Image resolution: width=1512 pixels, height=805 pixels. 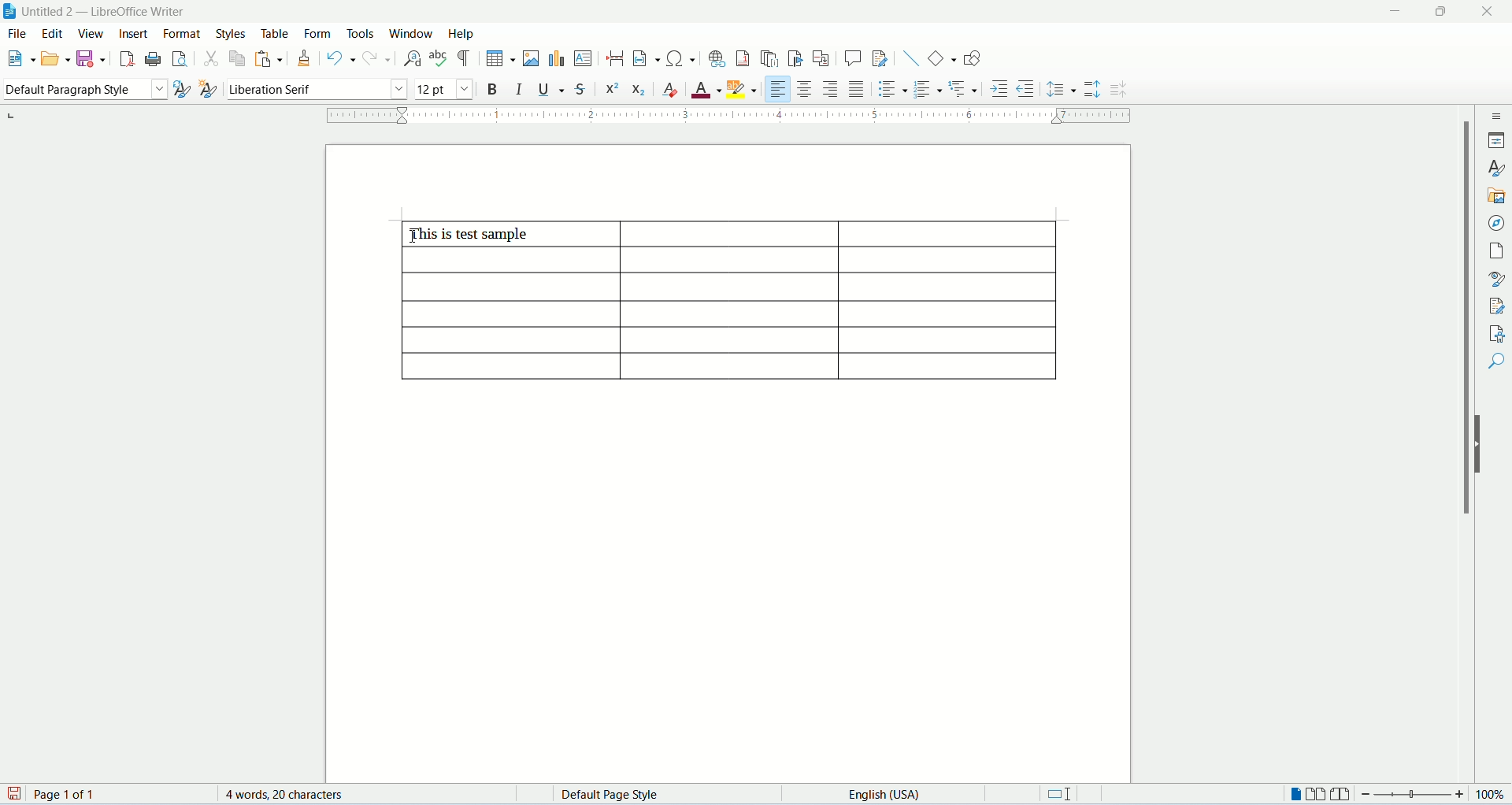 What do you see at coordinates (14, 793) in the screenshot?
I see `save` at bounding box center [14, 793].